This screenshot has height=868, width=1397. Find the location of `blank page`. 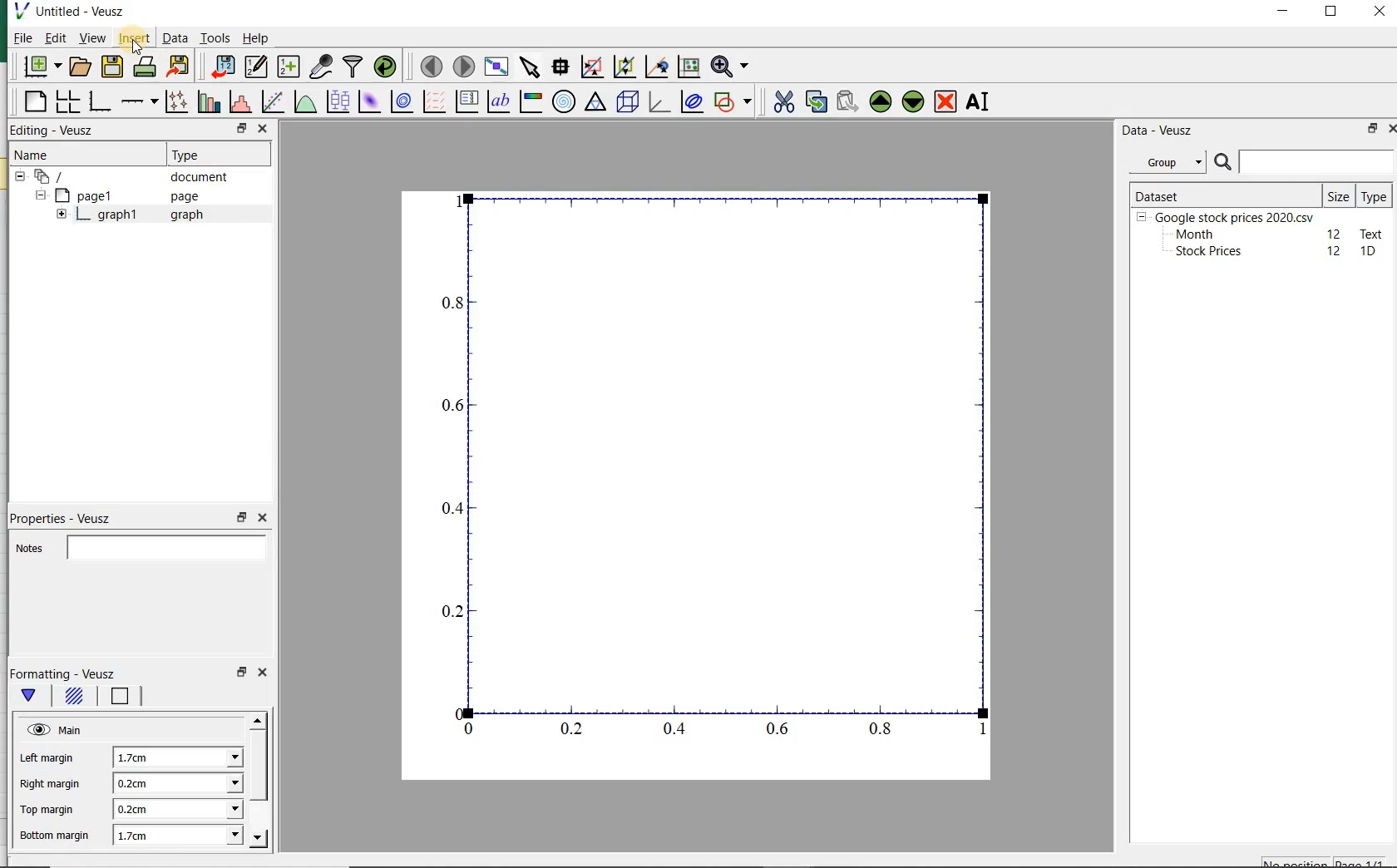

blank page is located at coordinates (34, 104).